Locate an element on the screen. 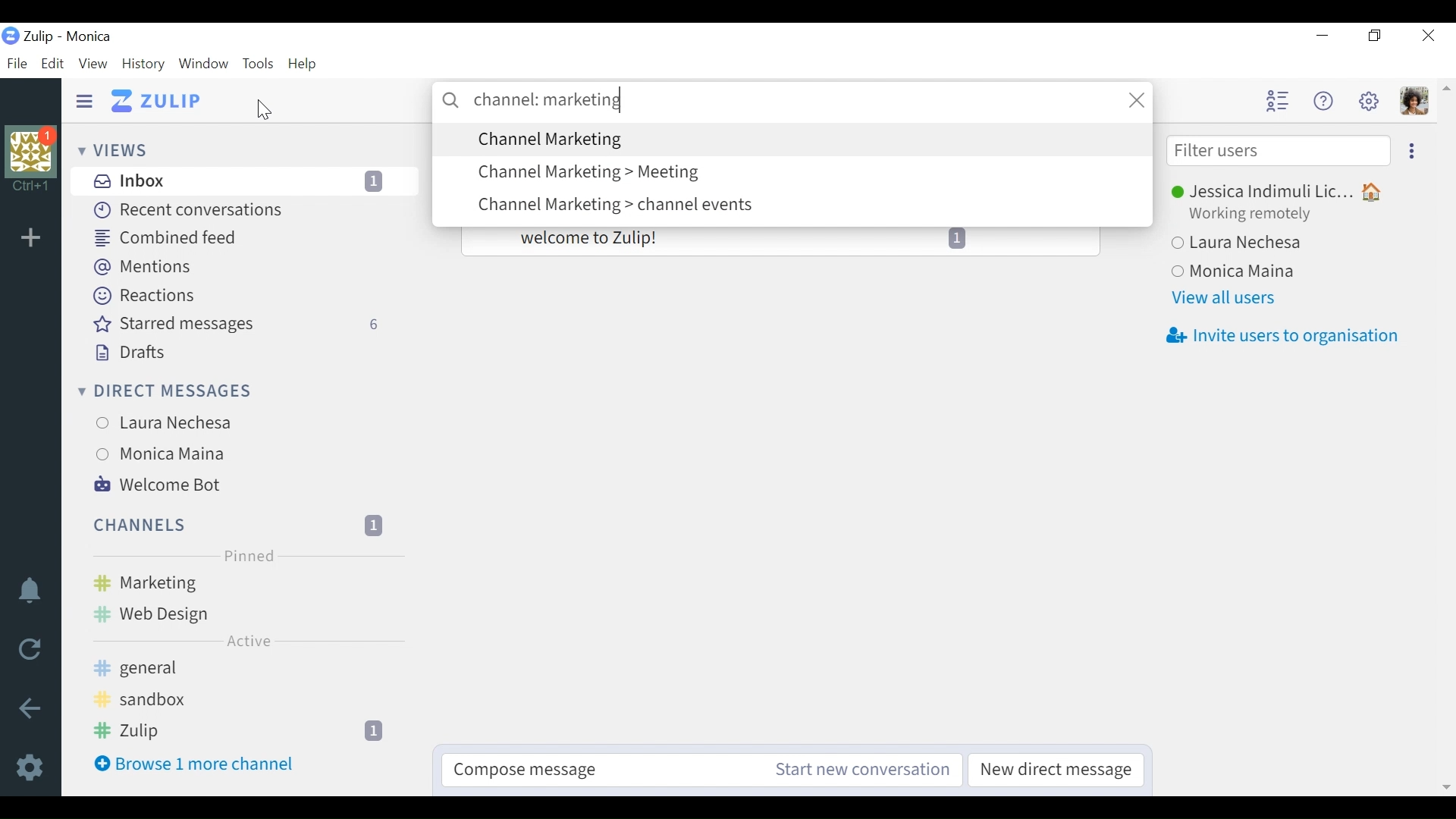 This screenshot has height=819, width=1456. Users is located at coordinates (180, 425).